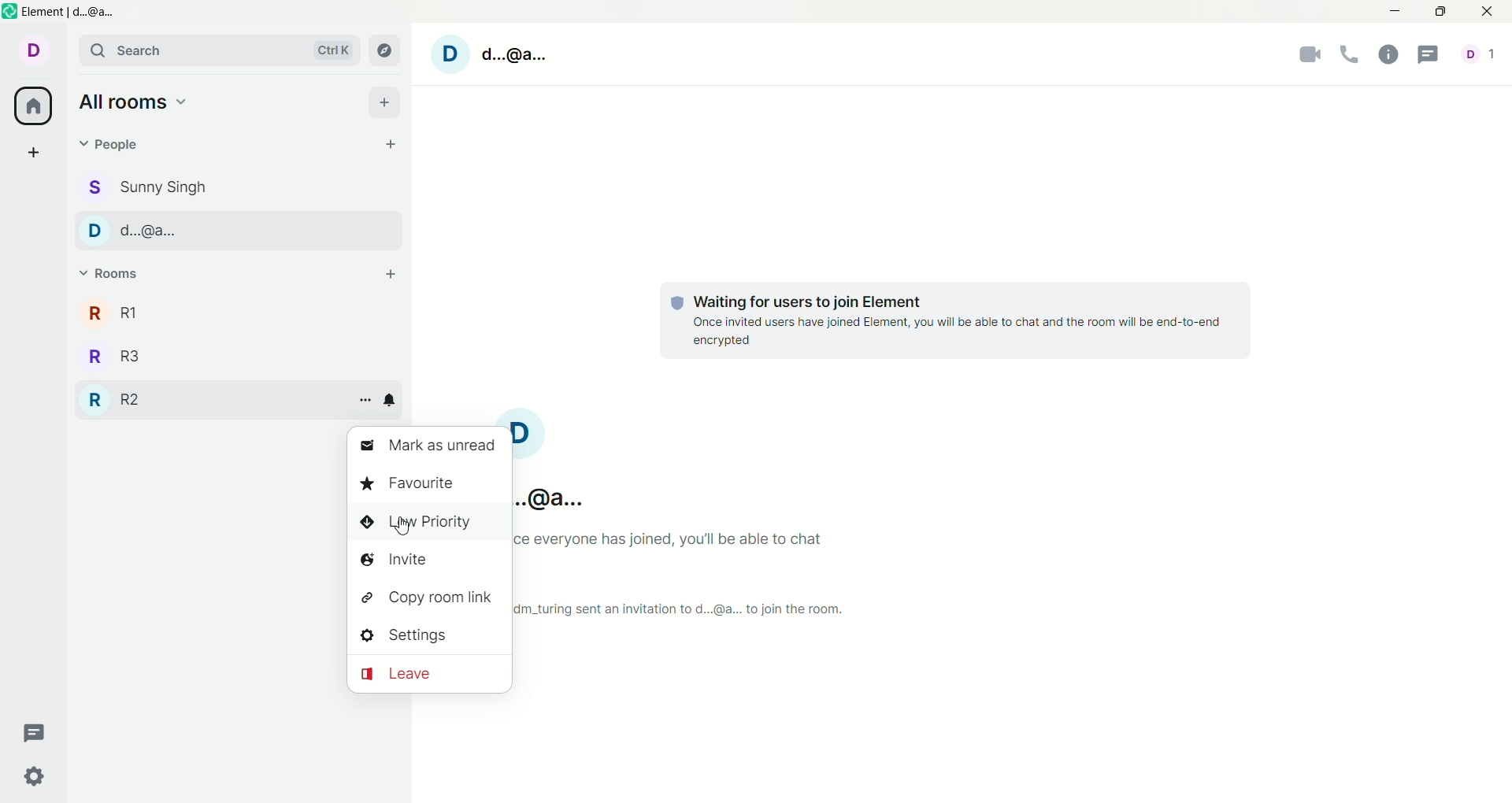 The image size is (1512, 803). Describe the element at coordinates (1478, 56) in the screenshot. I see `account` at that location.